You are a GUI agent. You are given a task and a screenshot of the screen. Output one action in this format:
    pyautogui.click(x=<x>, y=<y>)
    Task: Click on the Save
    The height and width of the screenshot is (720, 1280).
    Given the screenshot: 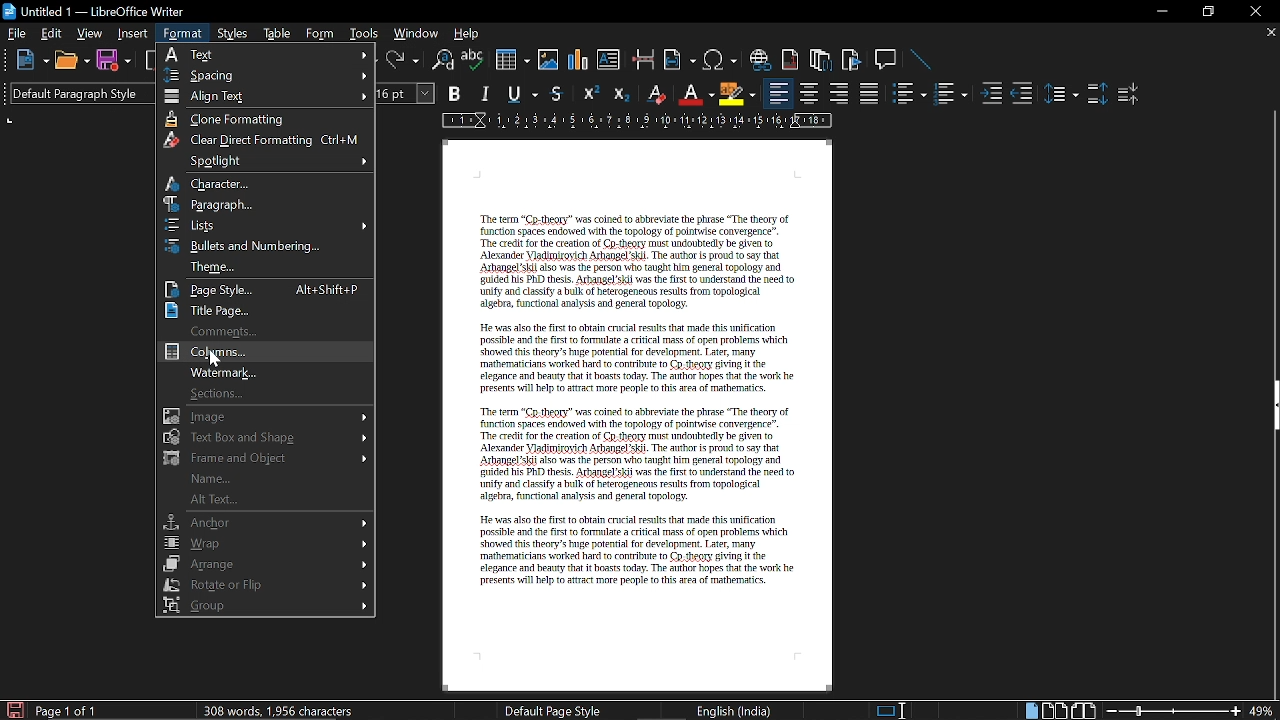 What is the action you would take?
    pyautogui.click(x=114, y=63)
    